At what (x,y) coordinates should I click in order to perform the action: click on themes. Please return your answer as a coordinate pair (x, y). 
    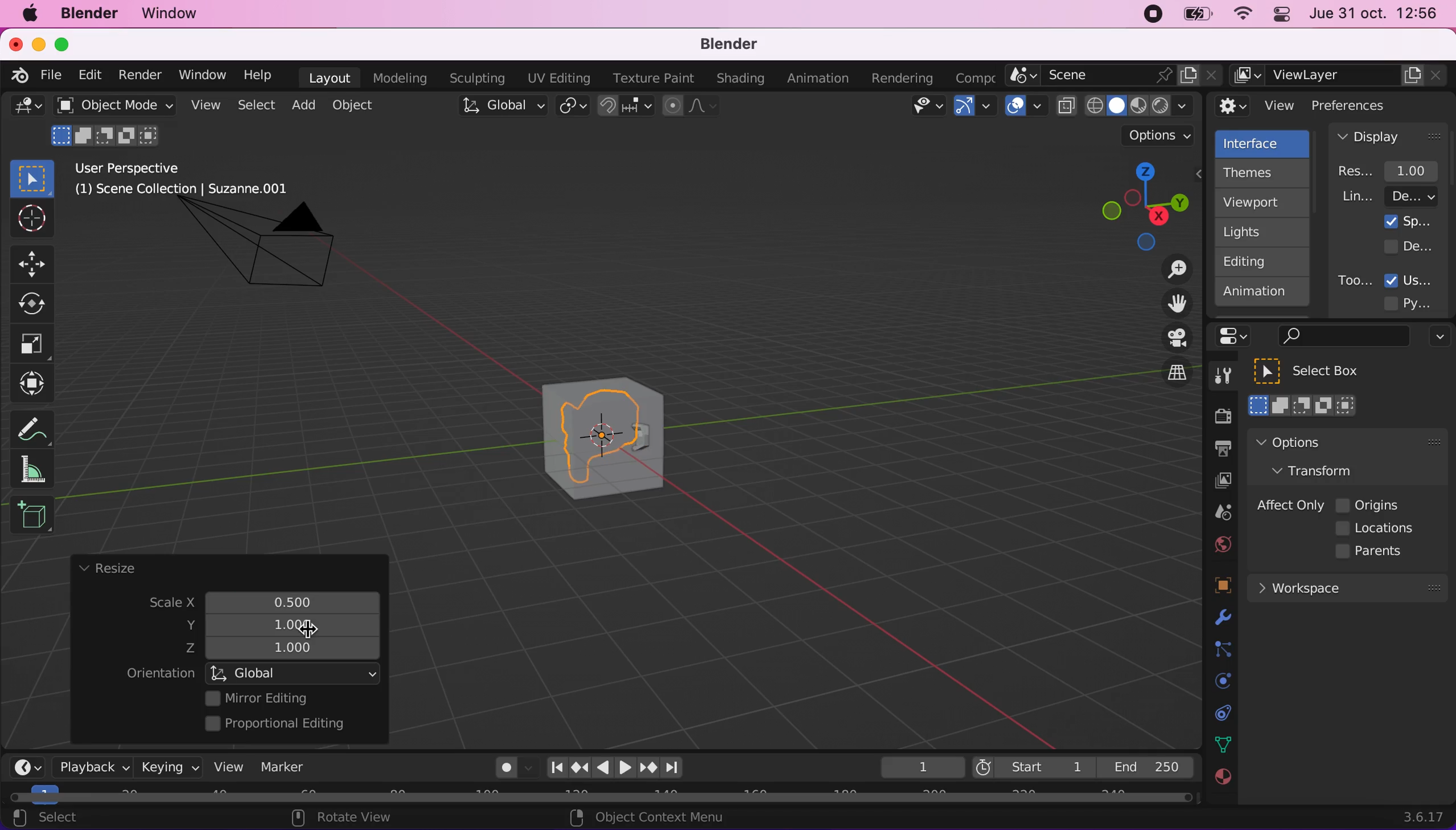
    Looking at the image, I should click on (1261, 173).